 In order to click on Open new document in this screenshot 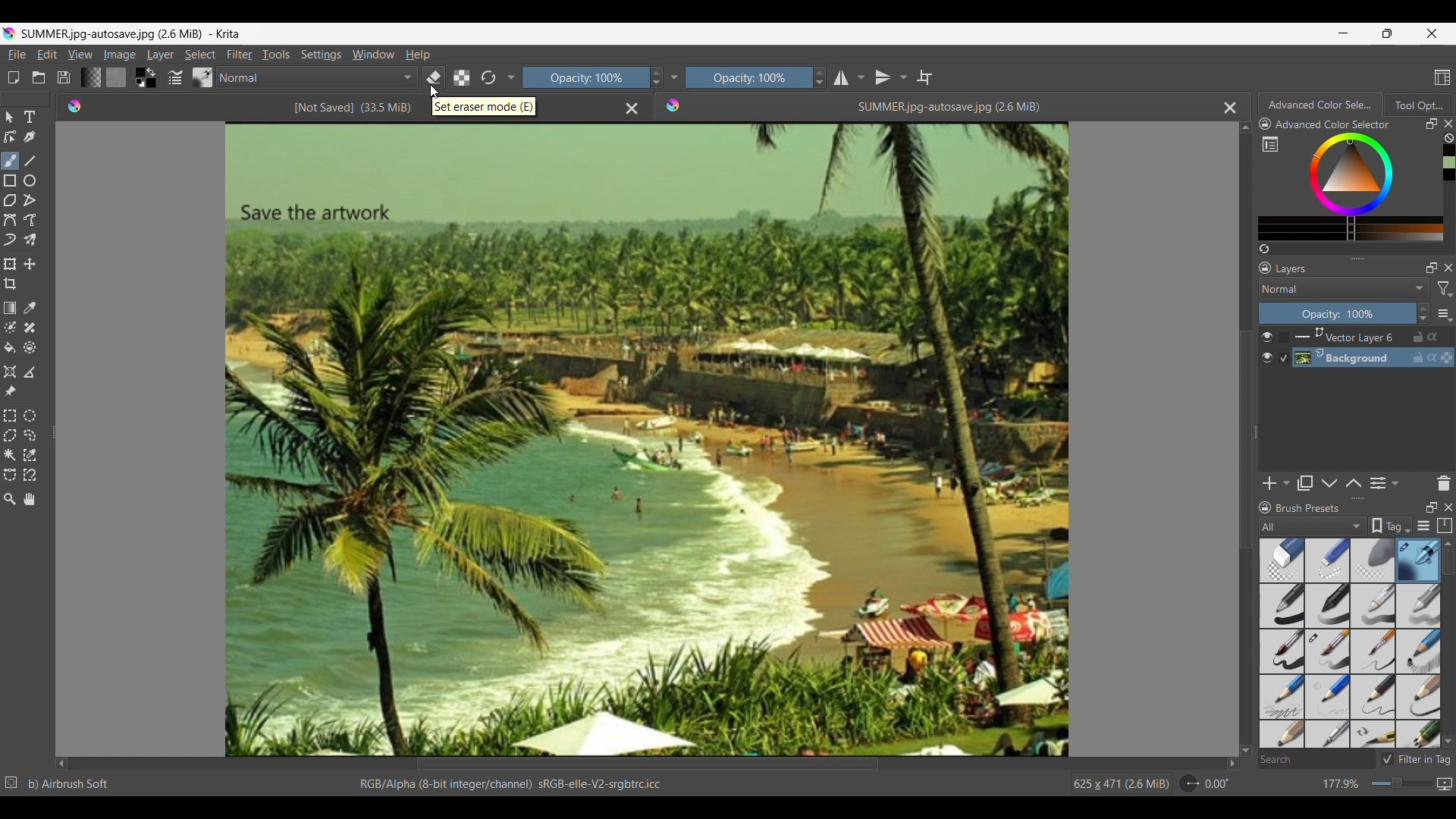, I will do `click(13, 77)`.